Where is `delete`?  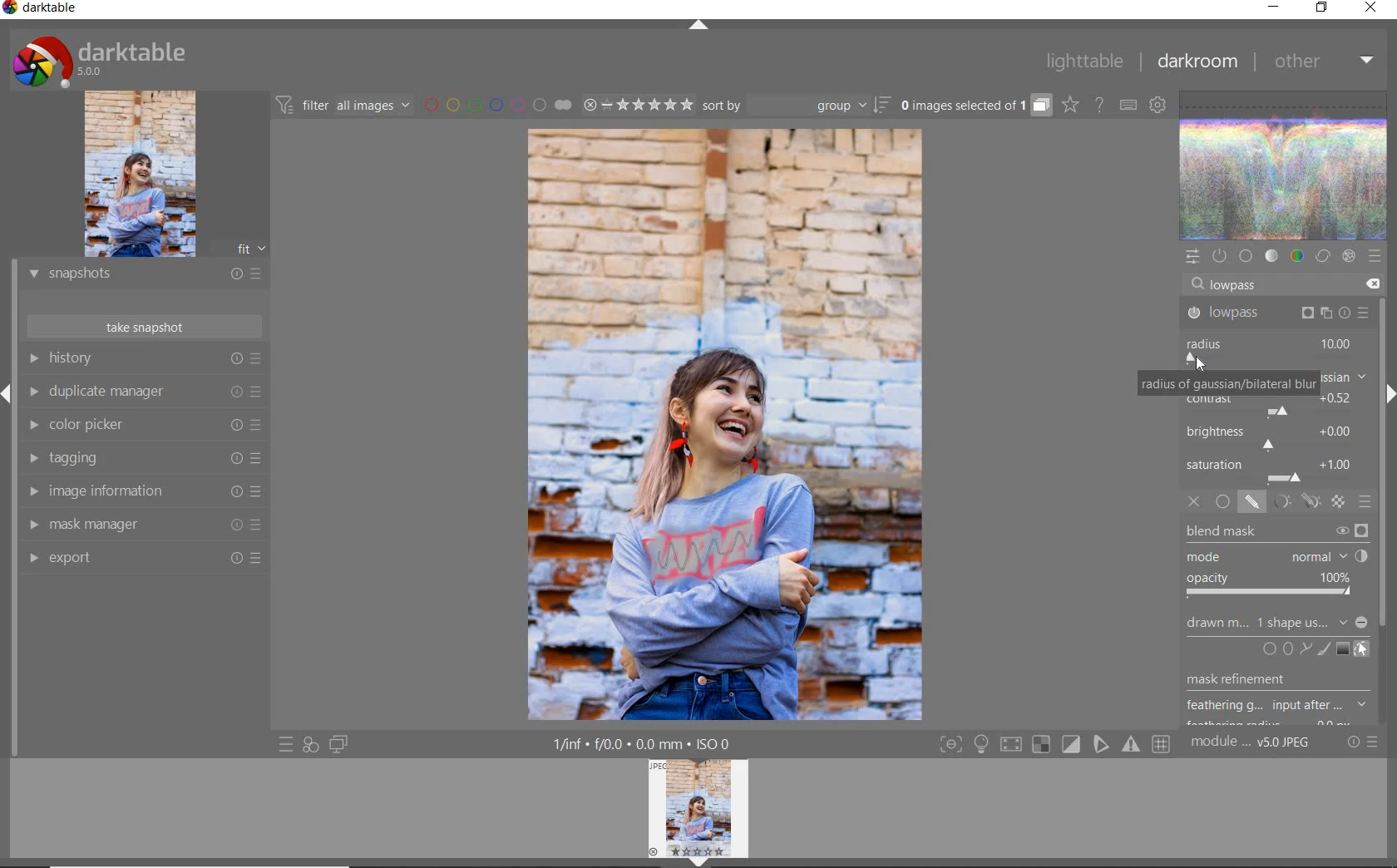 delete is located at coordinates (1370, 283).